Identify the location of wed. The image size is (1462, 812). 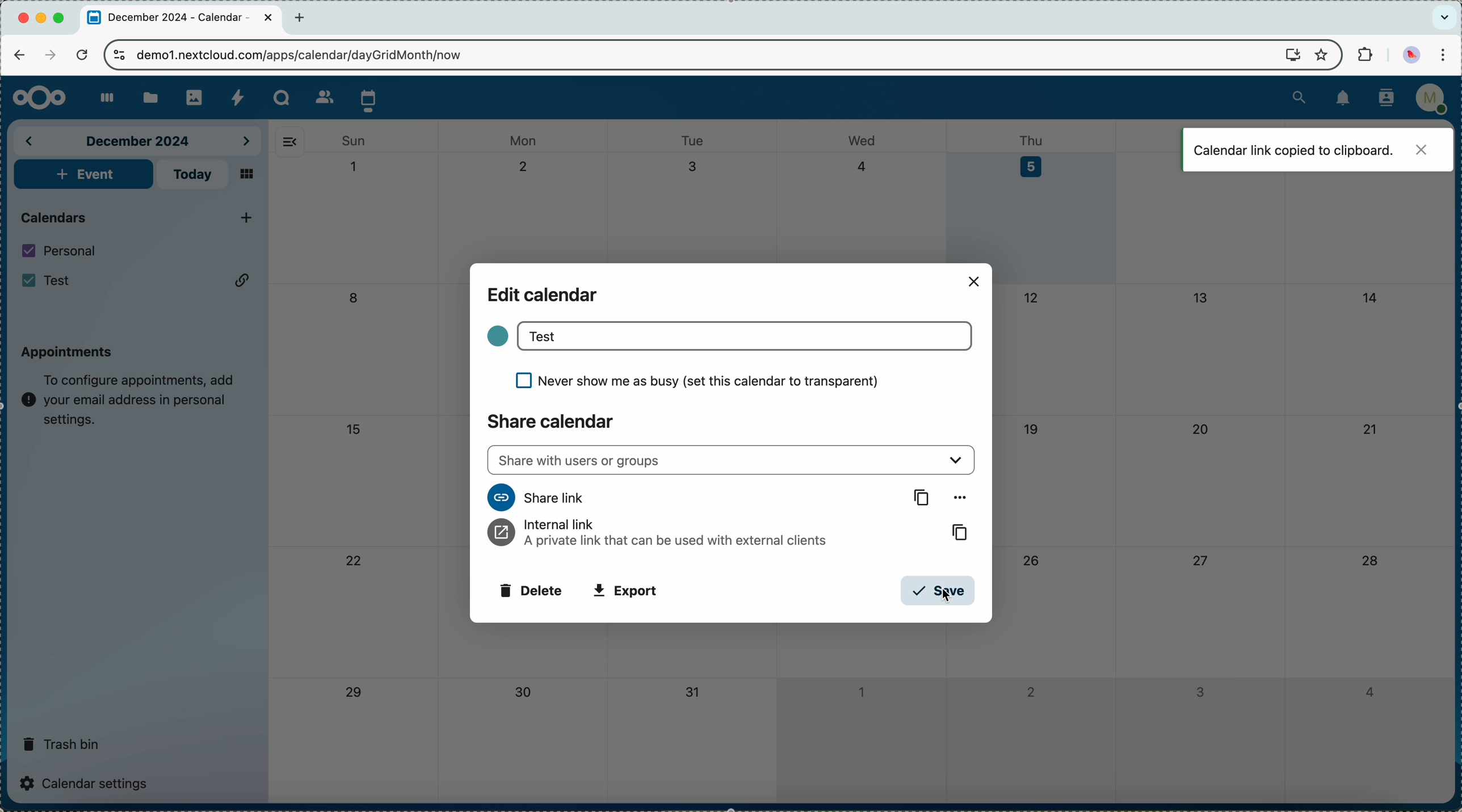
(863, 140).